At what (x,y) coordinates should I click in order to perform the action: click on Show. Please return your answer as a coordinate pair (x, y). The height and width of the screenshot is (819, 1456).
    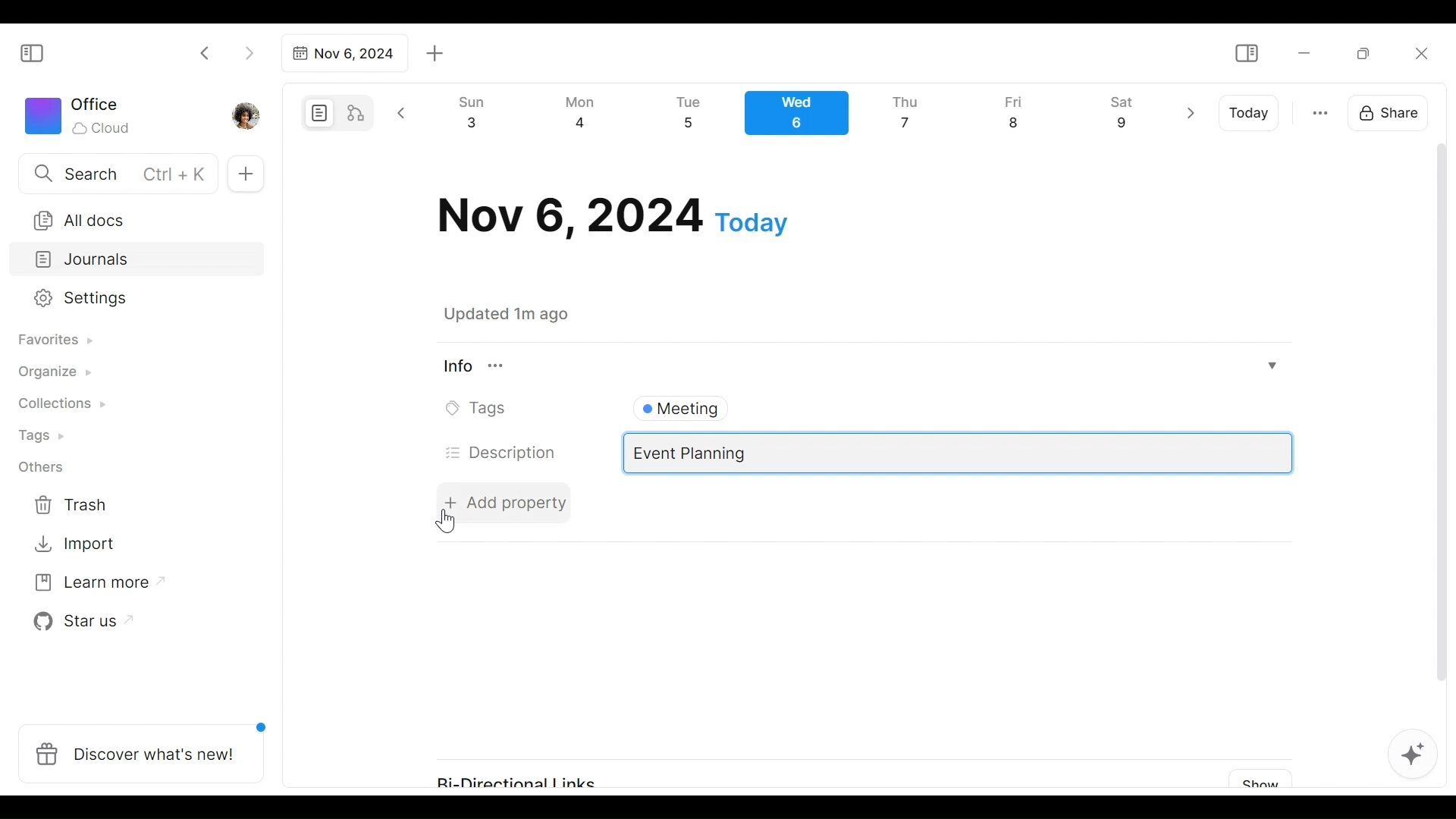
    Looking at the image, I should click on (1255, 780).